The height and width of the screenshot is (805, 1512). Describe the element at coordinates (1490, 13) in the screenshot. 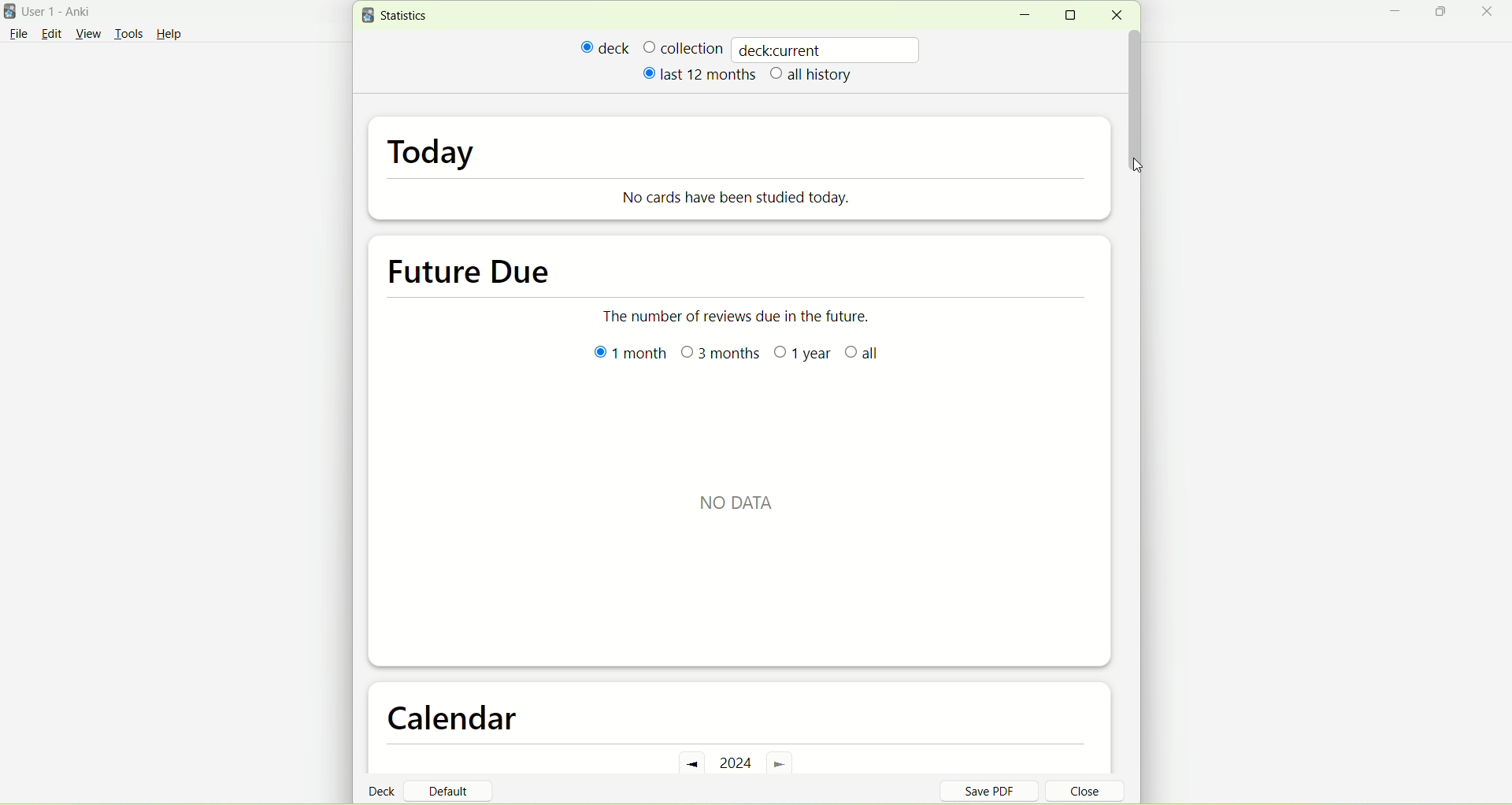

I see `close` at that location.